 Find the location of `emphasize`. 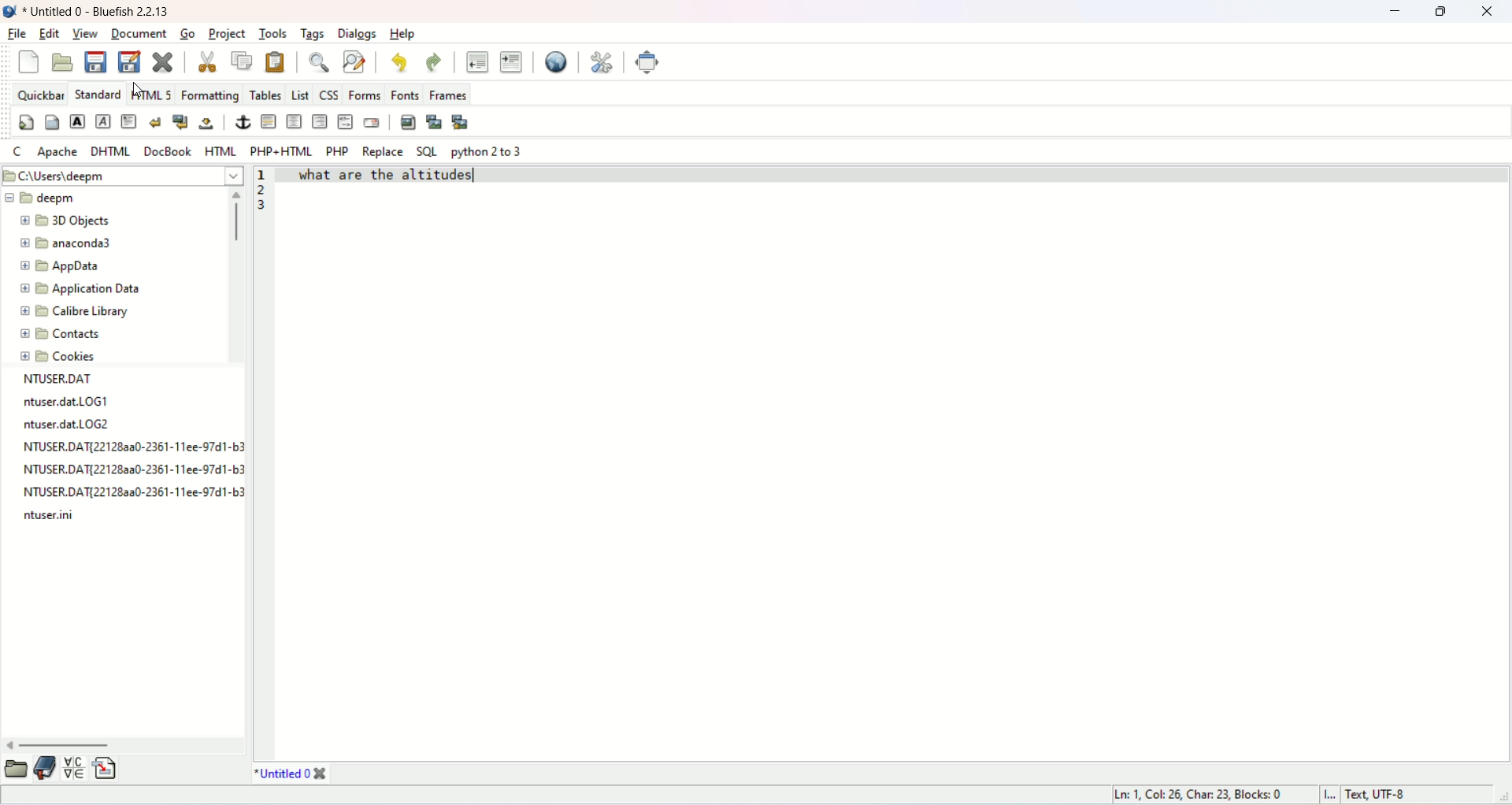

emphasize is located at coordinates (105, 121).